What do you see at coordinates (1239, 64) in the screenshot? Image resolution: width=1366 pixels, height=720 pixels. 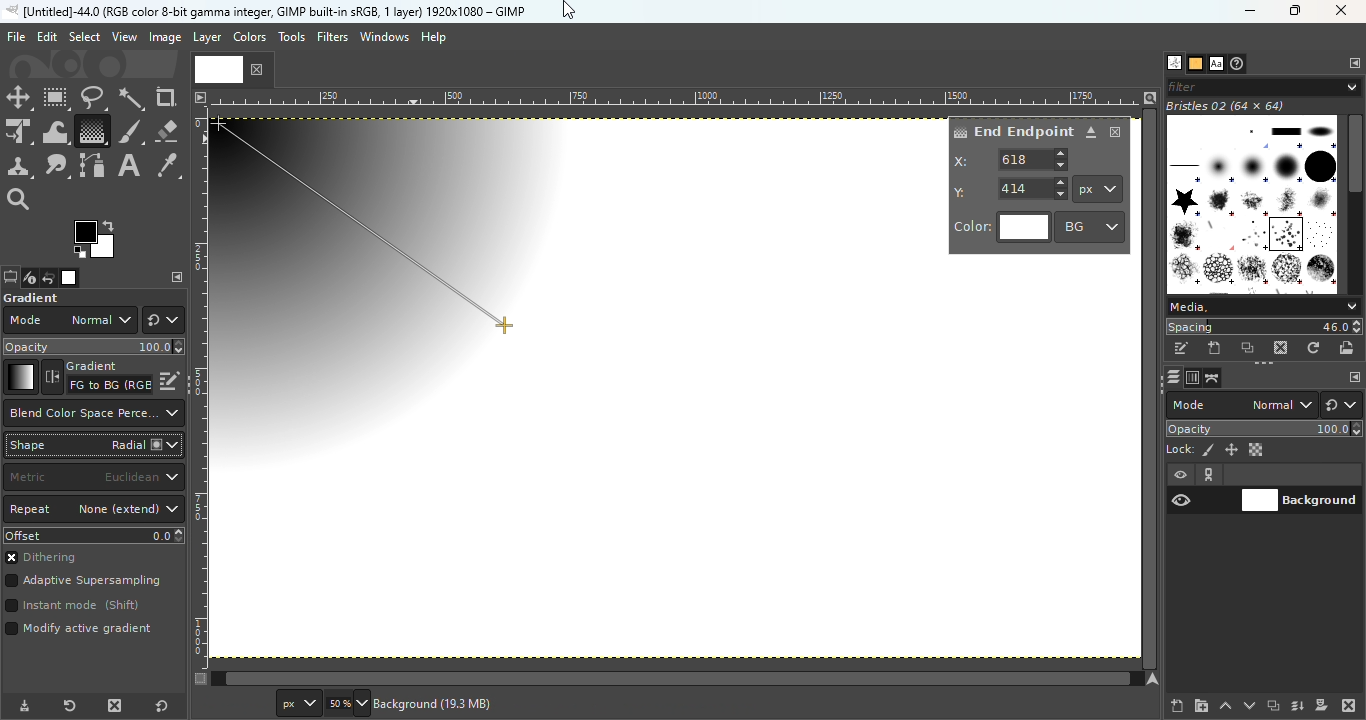 I see `Open the document history dialog` at bounding box center [1239, 64].